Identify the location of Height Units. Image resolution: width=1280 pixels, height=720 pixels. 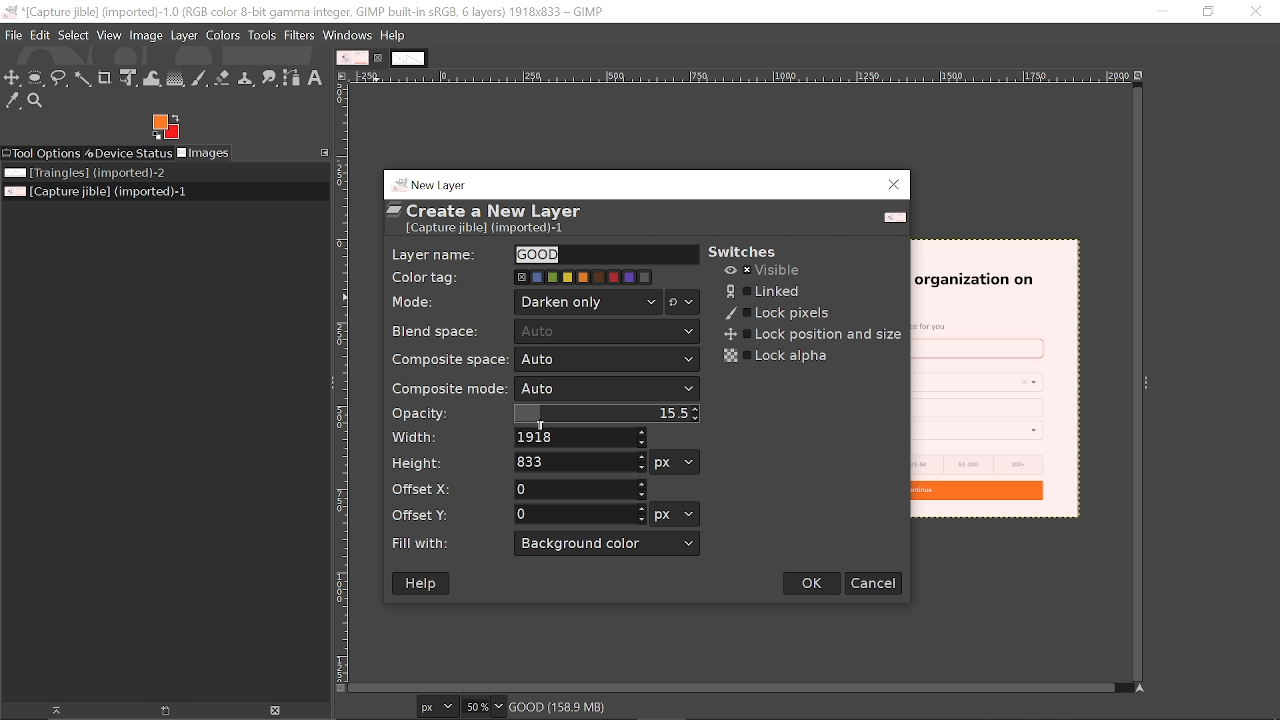
(675, 462).